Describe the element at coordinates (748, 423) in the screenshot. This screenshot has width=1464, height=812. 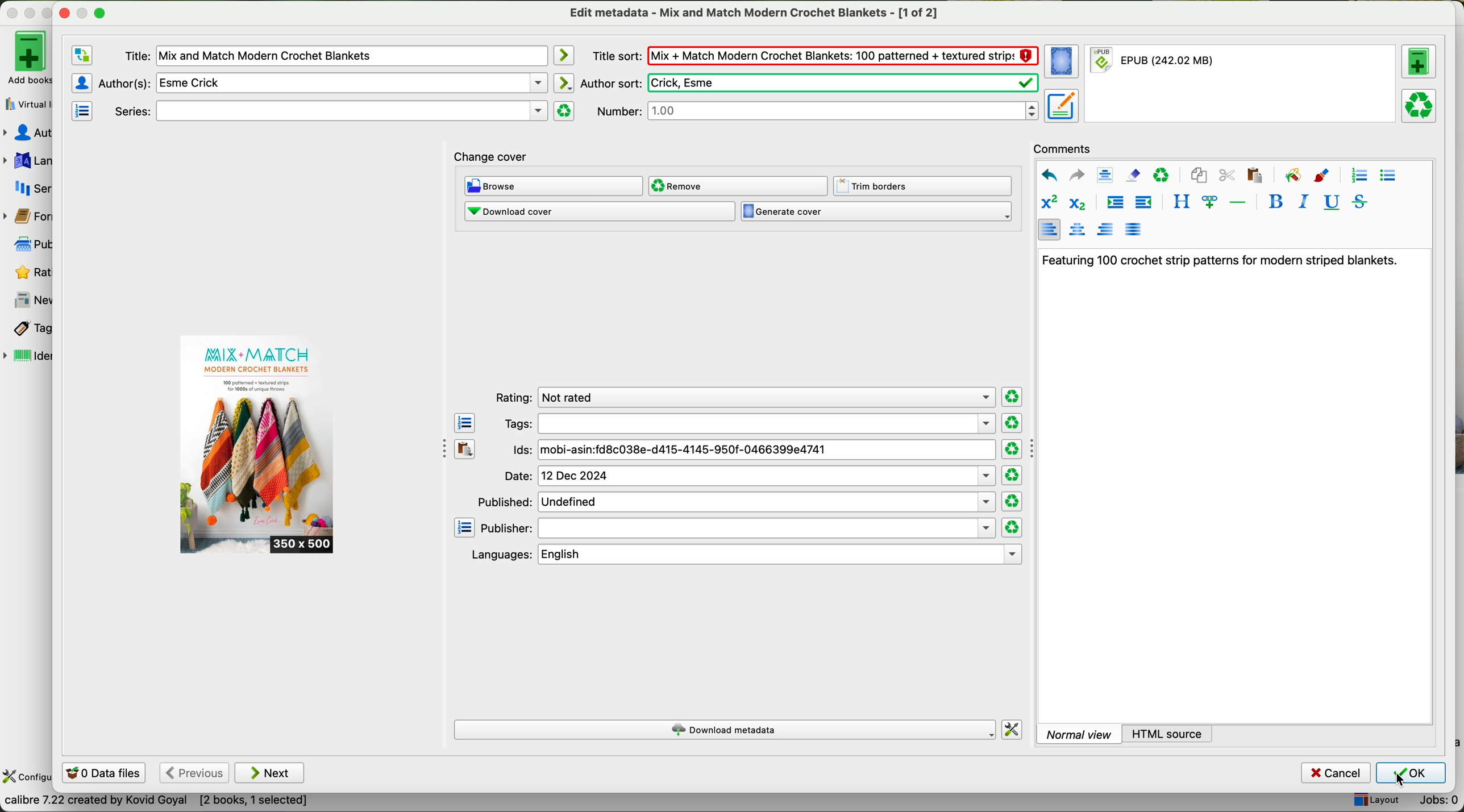
I see `tags` at that location.